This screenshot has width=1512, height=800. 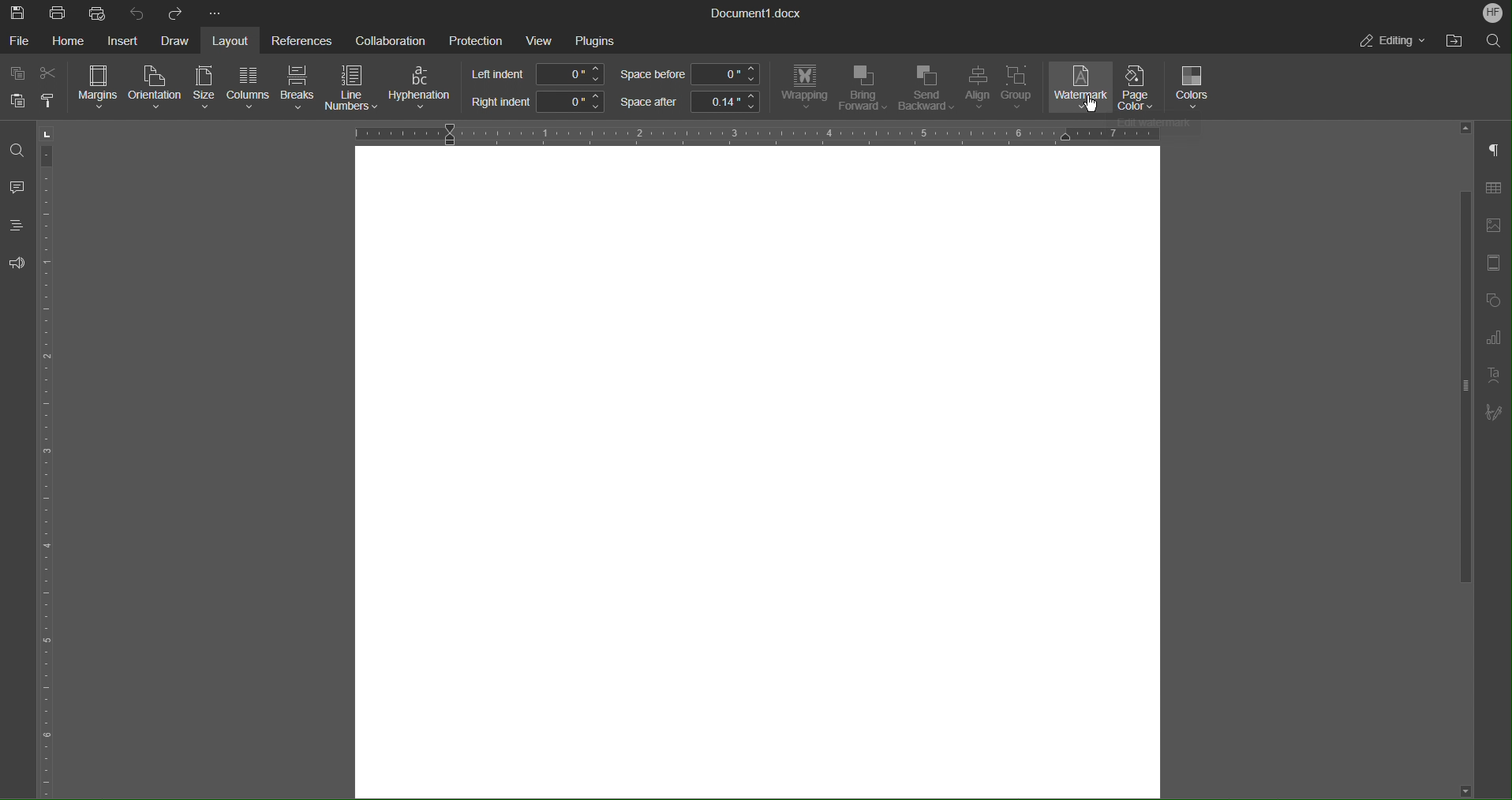 What do you see at coordinates (1493, 39) in the screenshot?
I see `Search` at bounding box center [1493, 39].